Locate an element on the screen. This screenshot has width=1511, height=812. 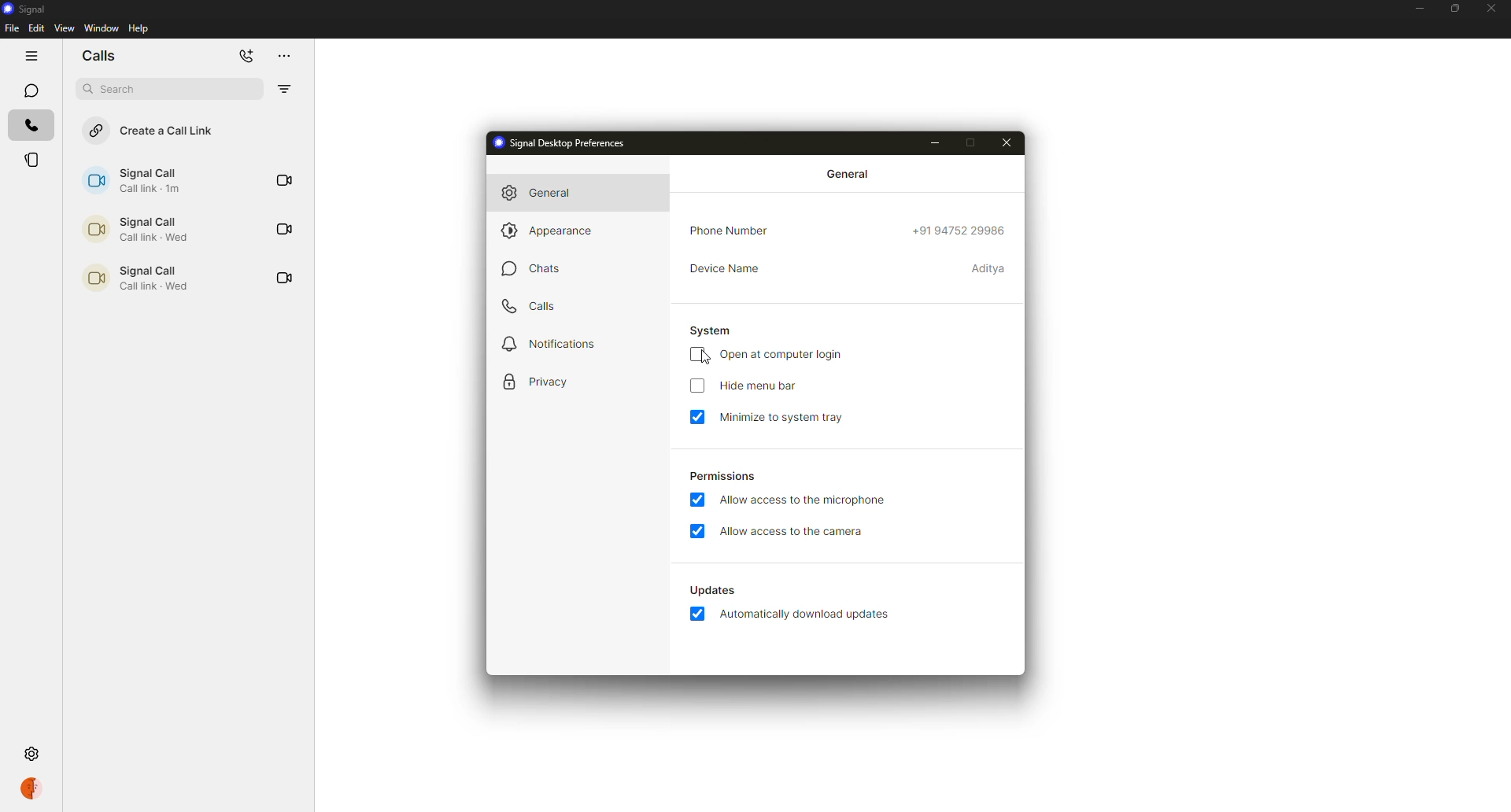
signal is located at coordinates (28, 9).